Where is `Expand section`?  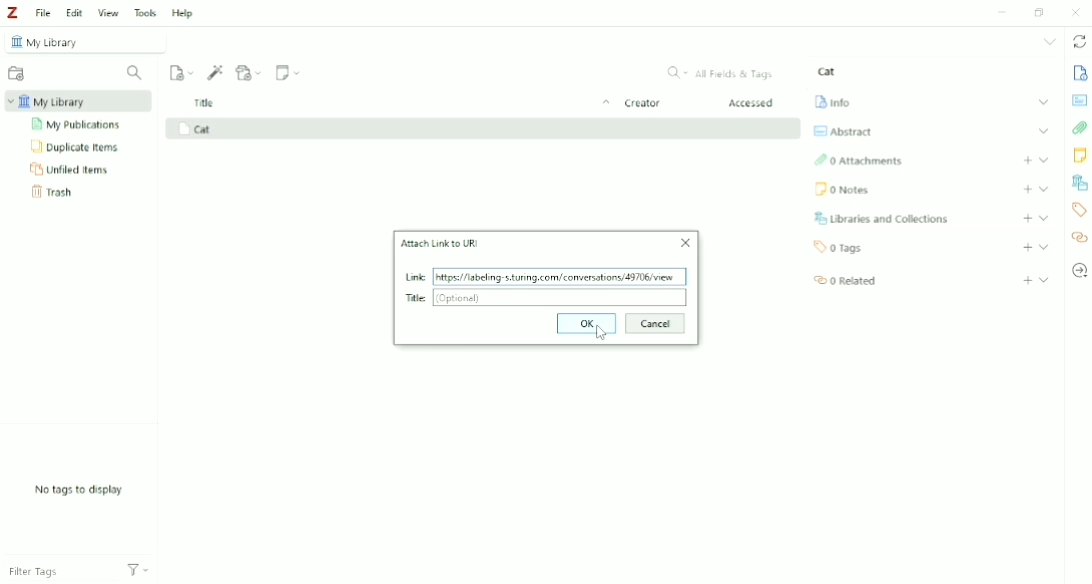
Expand section is located at coordinates (1043, 218).